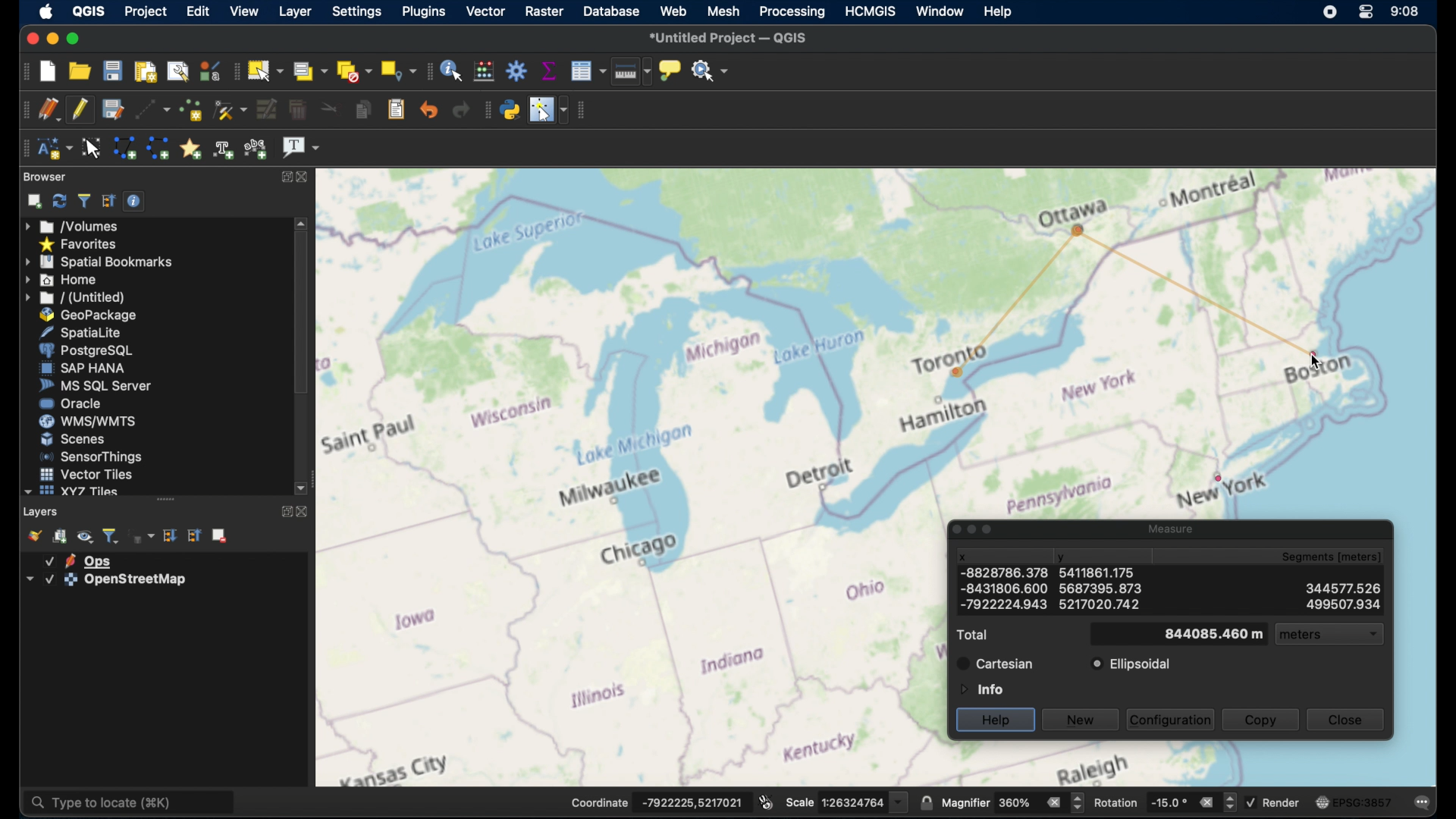 This screenshot has width=1456, height=819. I want to click on minimize, so click(971, 530).